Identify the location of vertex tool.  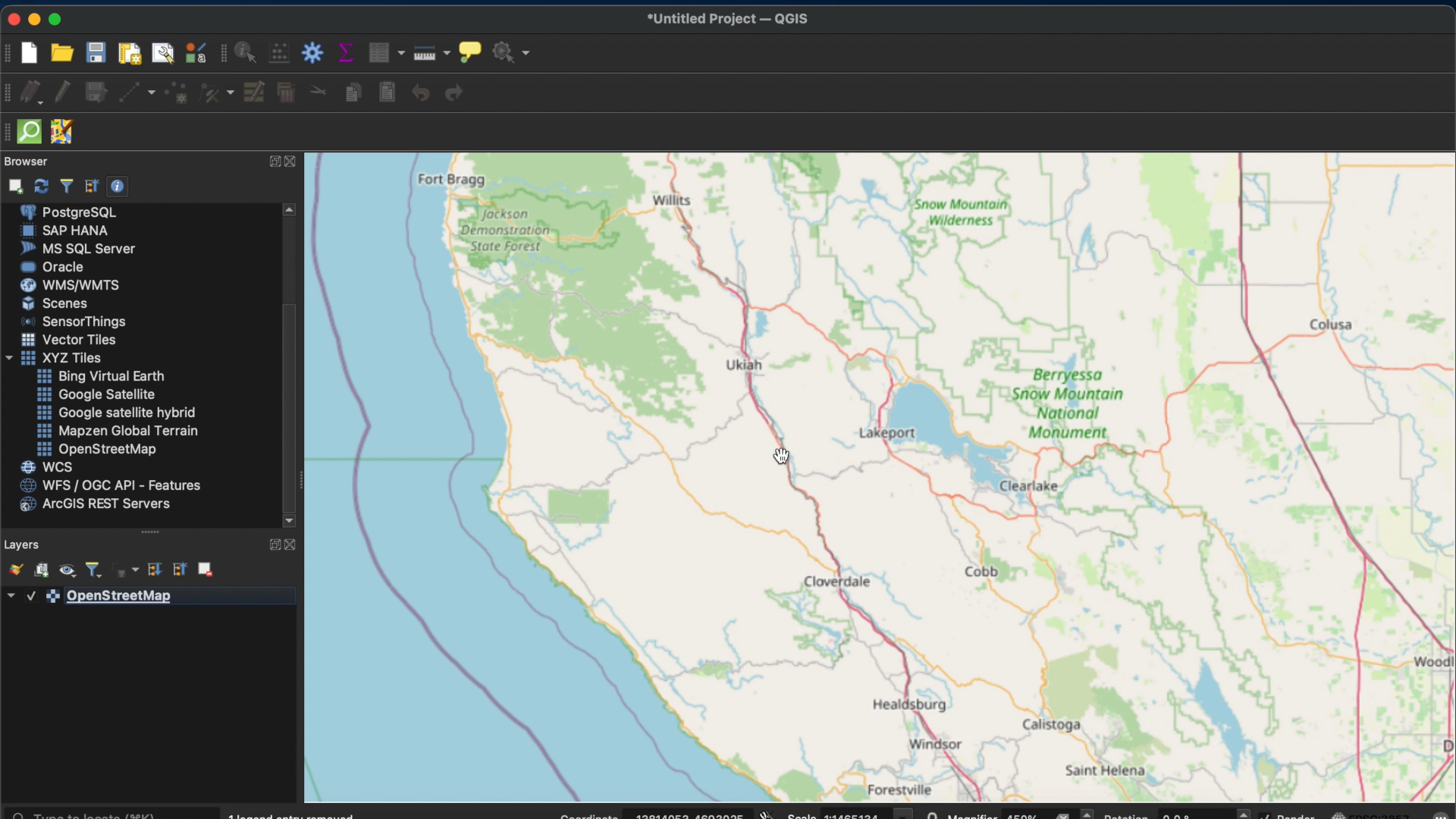
(215, 95).